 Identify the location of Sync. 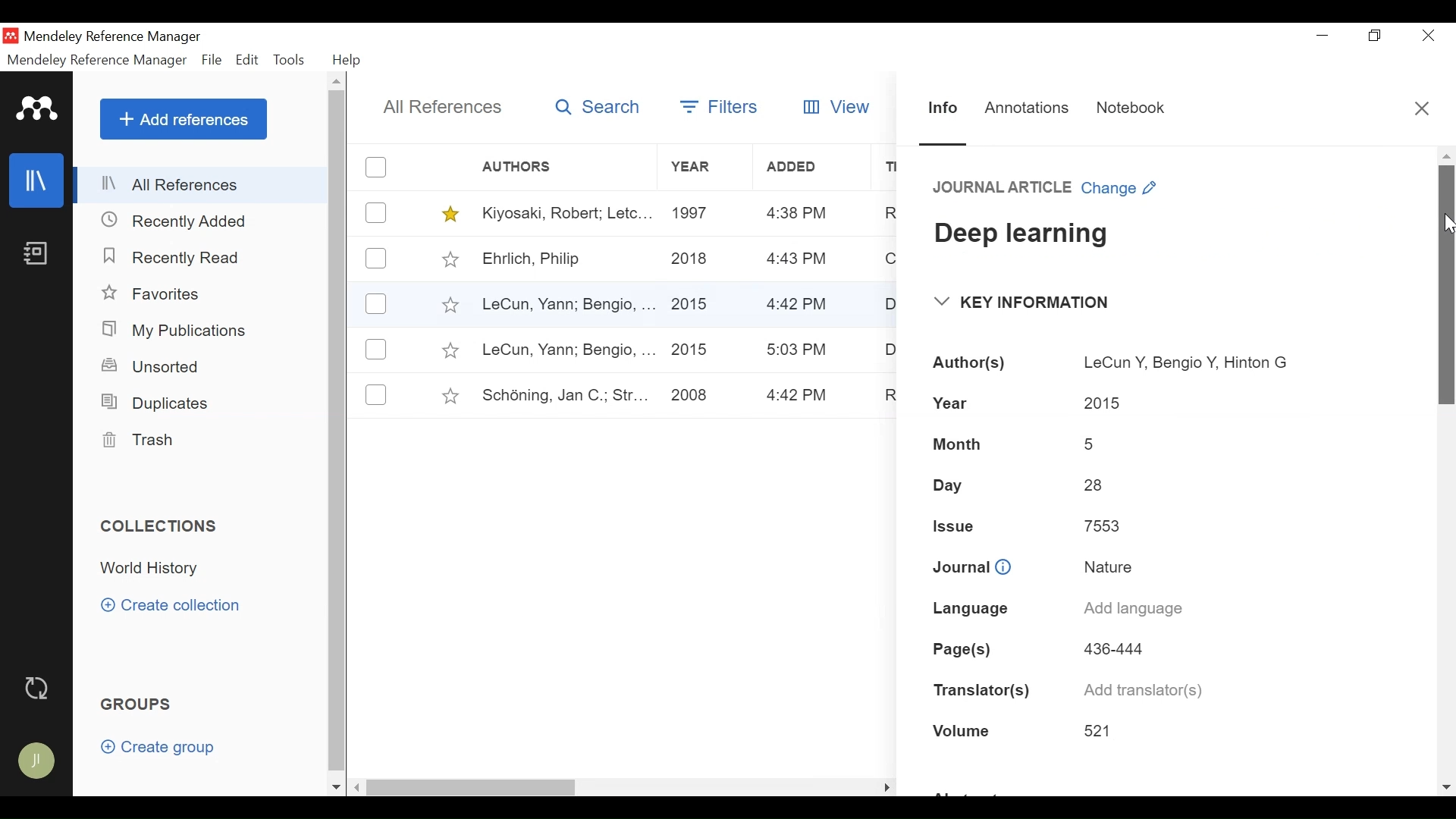
(40, 689).